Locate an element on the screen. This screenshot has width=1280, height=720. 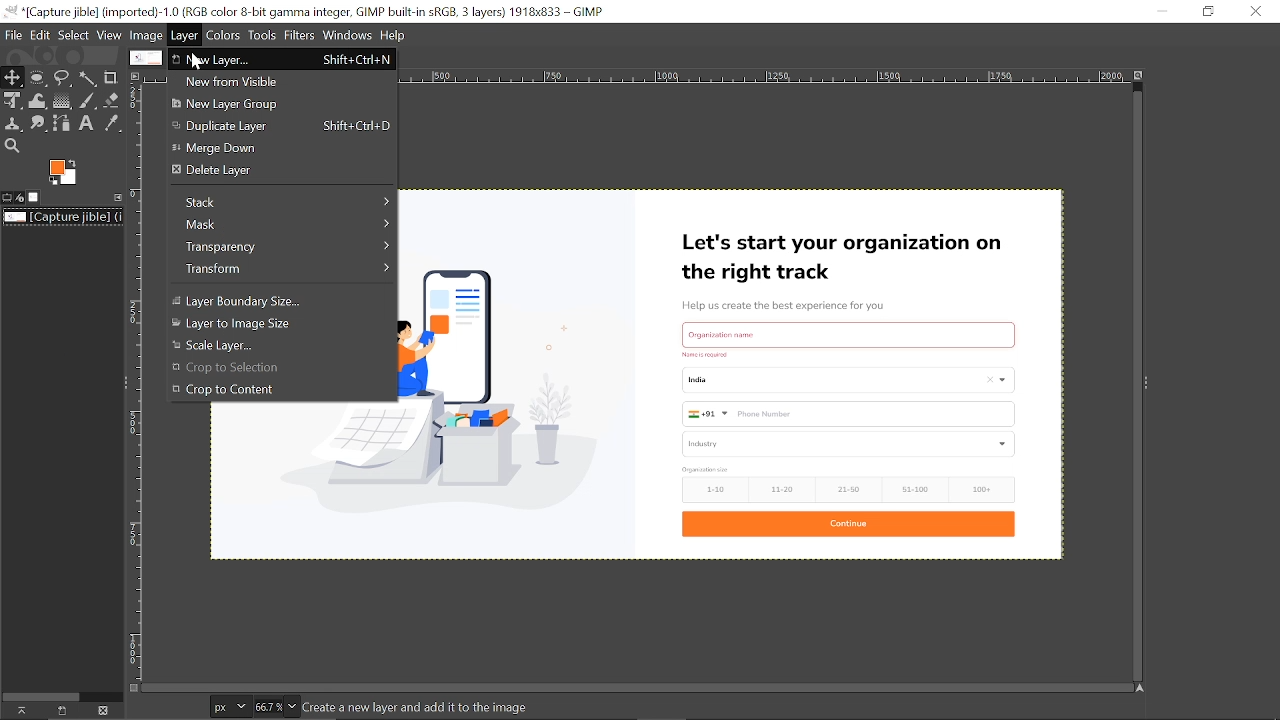
Unified transform tool is located at coordinates (12, 101).